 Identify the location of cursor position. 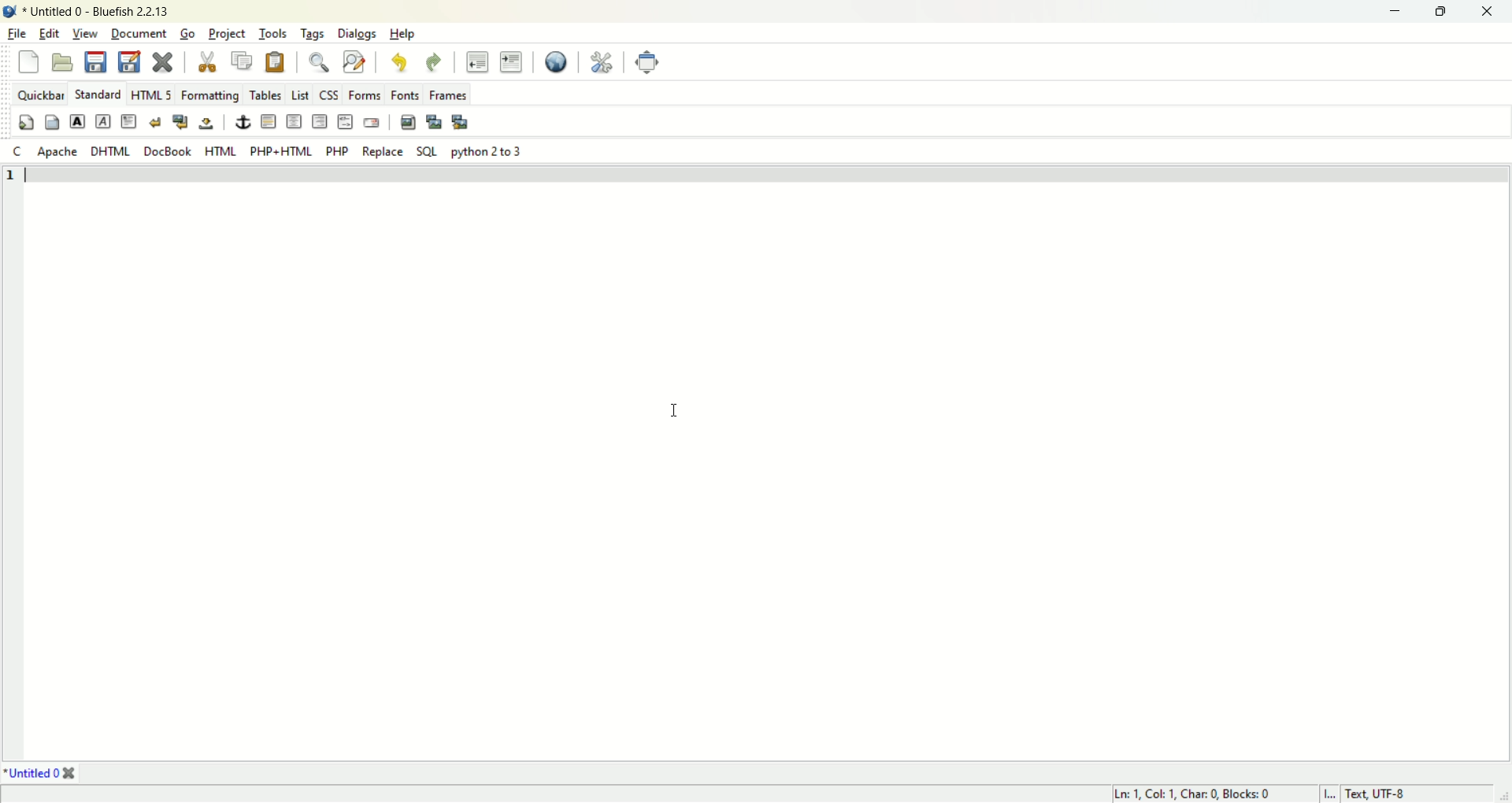
(1204, 794).